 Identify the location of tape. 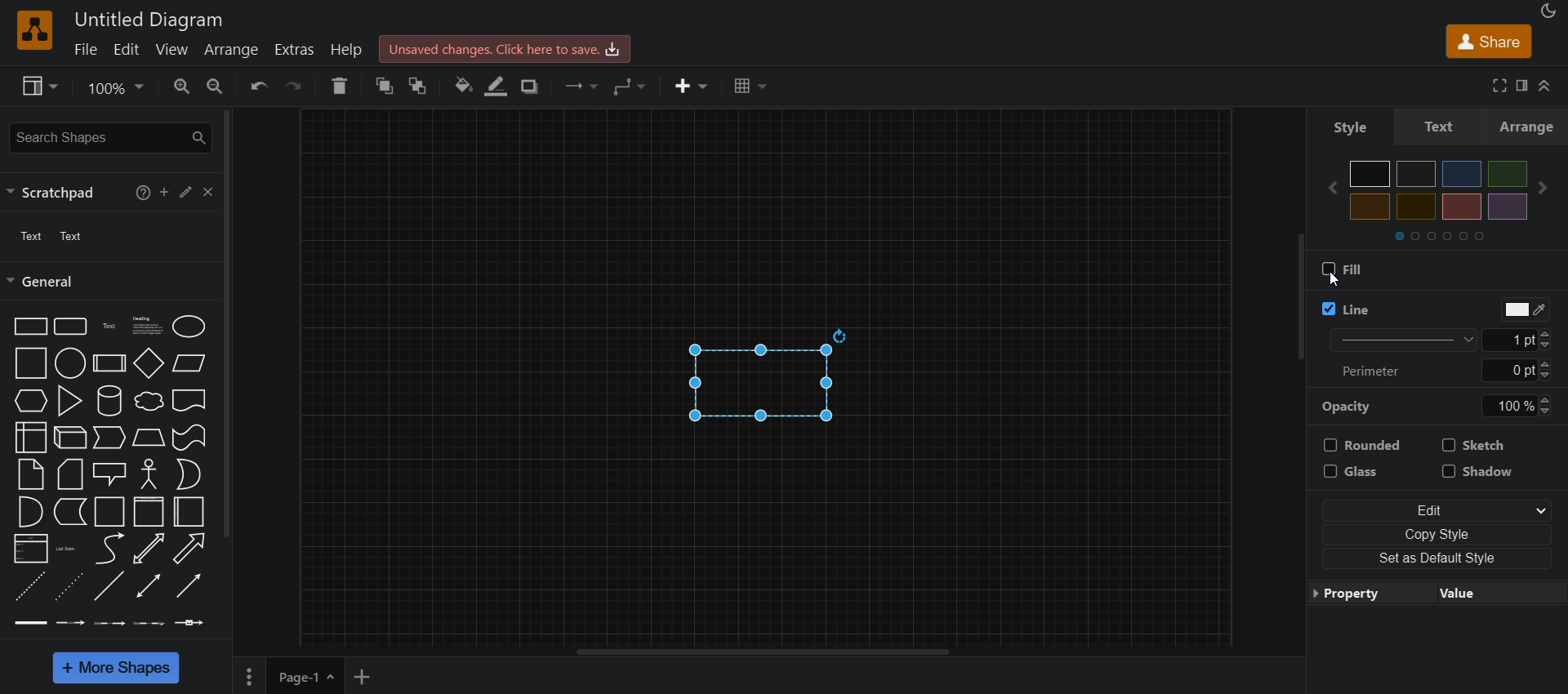
(190, 438).